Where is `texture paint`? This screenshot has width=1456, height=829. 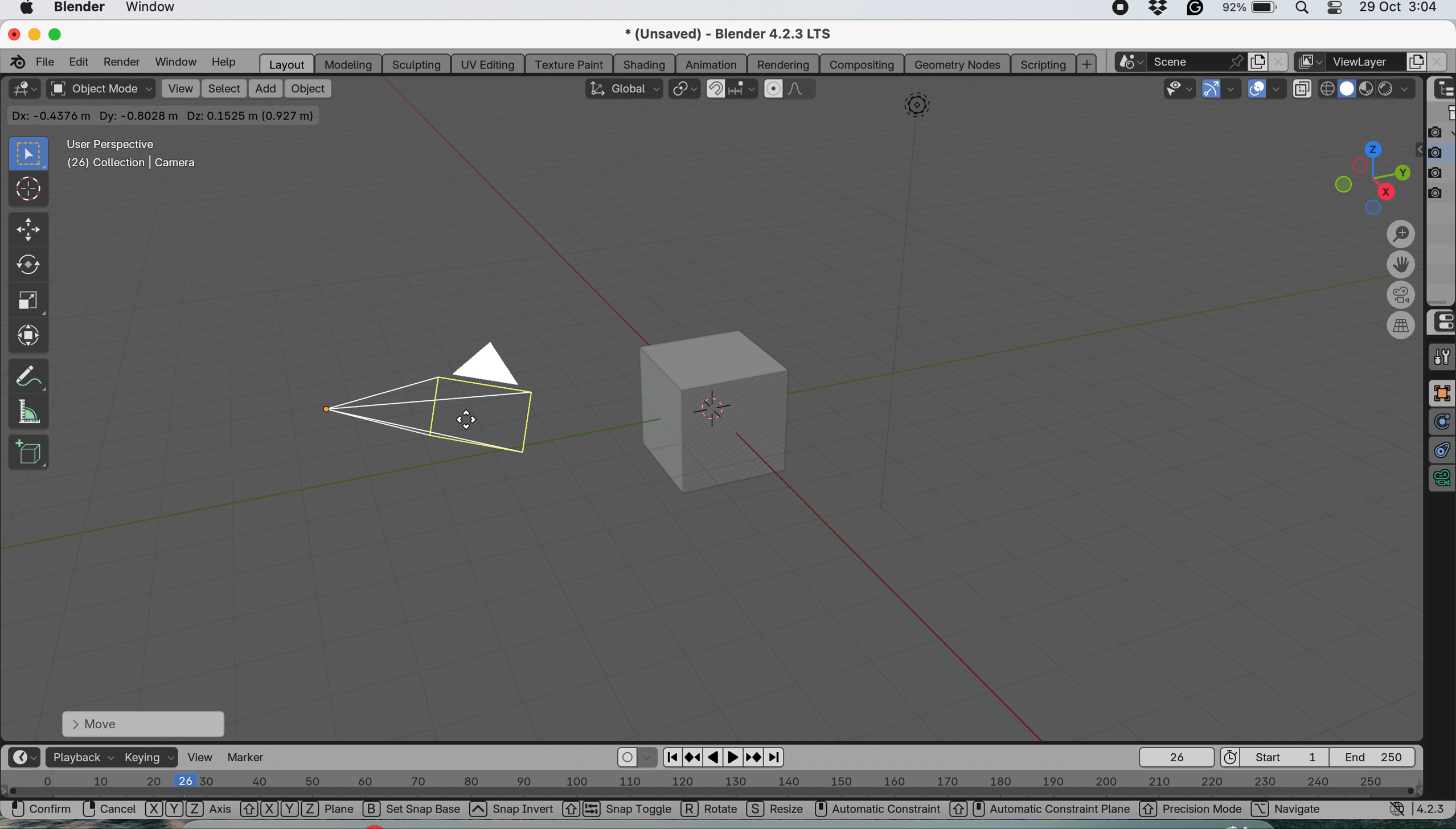
texture paint is located at coordinates (568, 64).